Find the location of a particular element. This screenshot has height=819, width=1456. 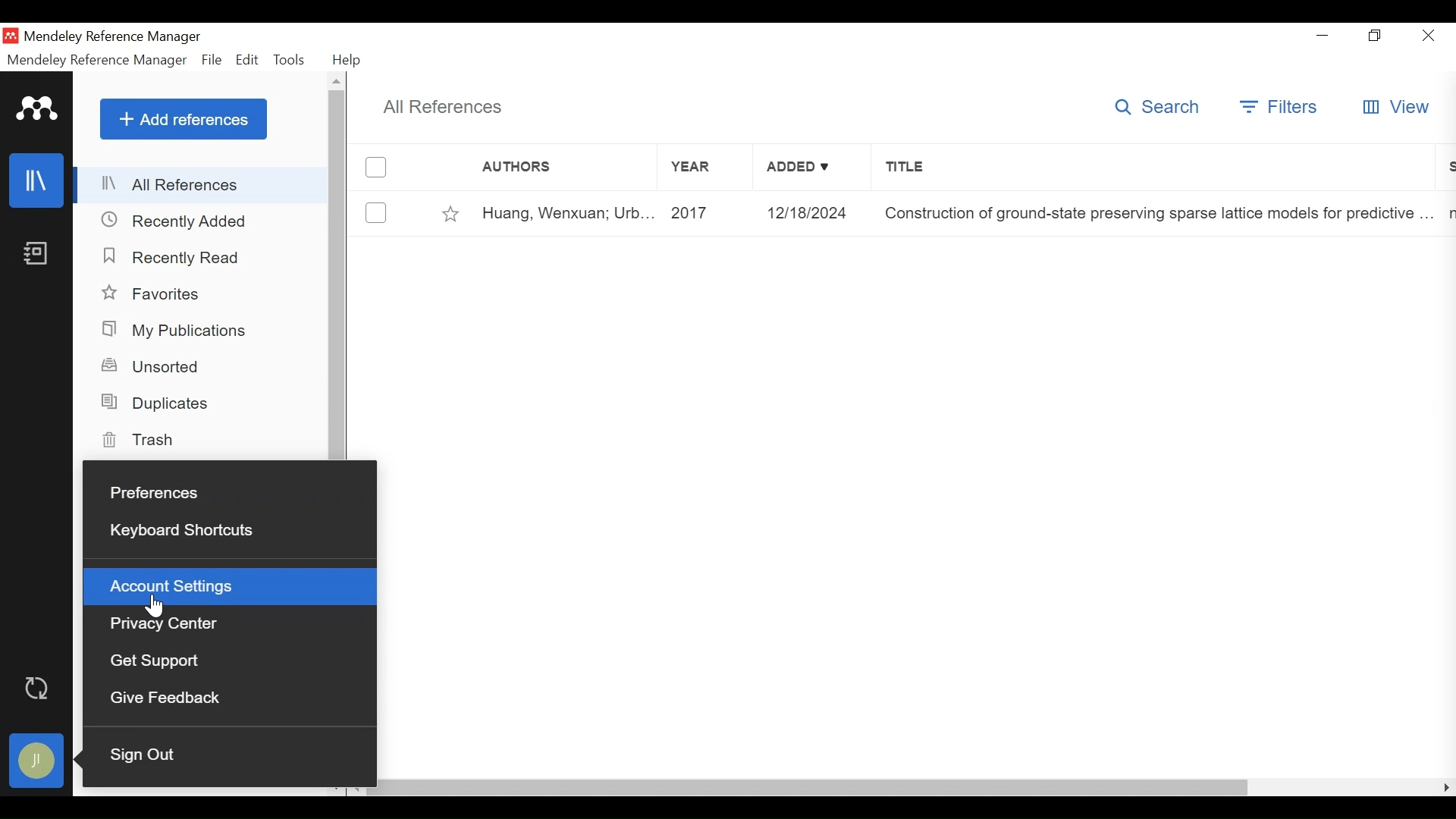

Scroll Right is located at coordinates (1447, 788).